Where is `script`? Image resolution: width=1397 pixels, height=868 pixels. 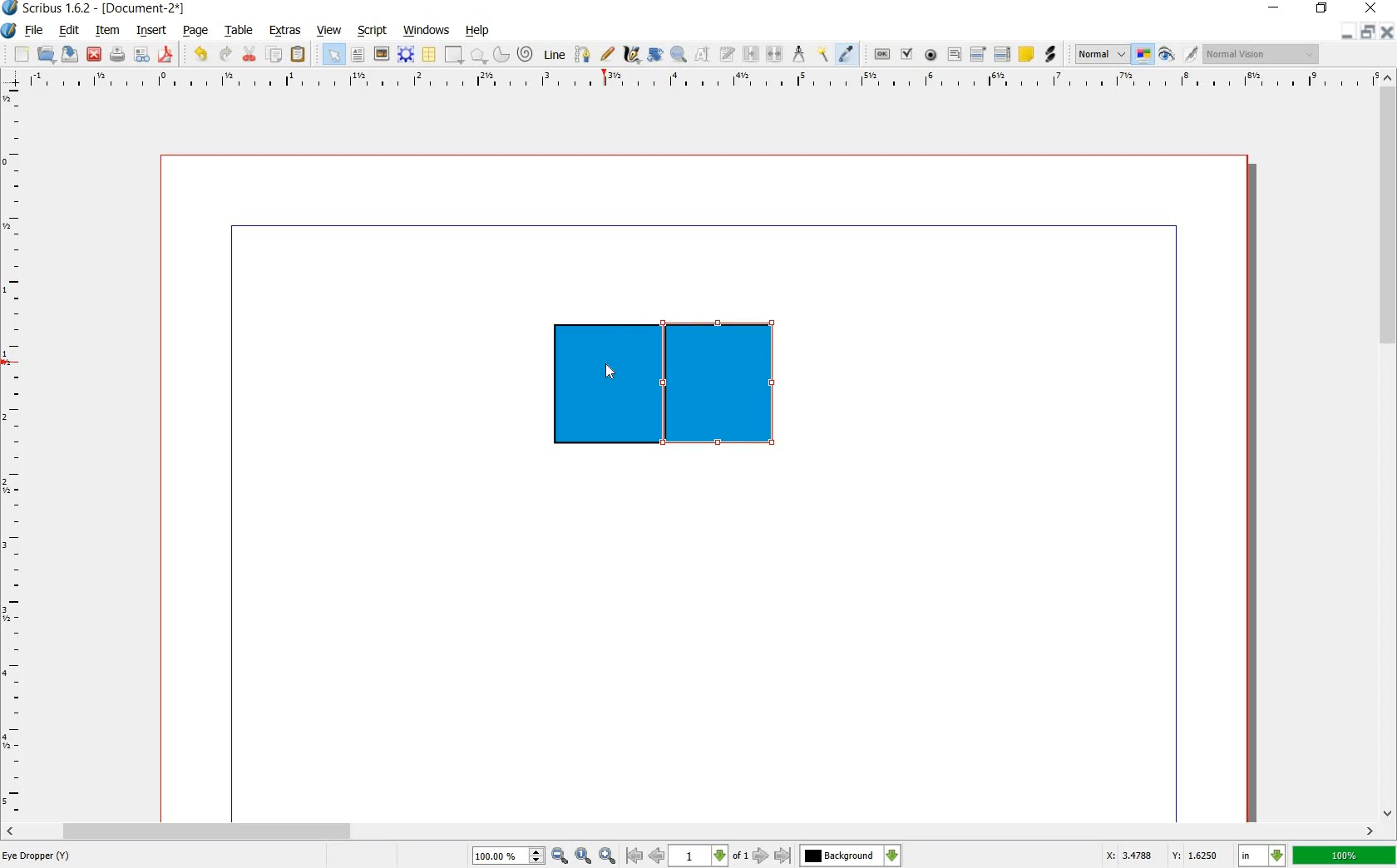
script is located at coordinates (373, 31).